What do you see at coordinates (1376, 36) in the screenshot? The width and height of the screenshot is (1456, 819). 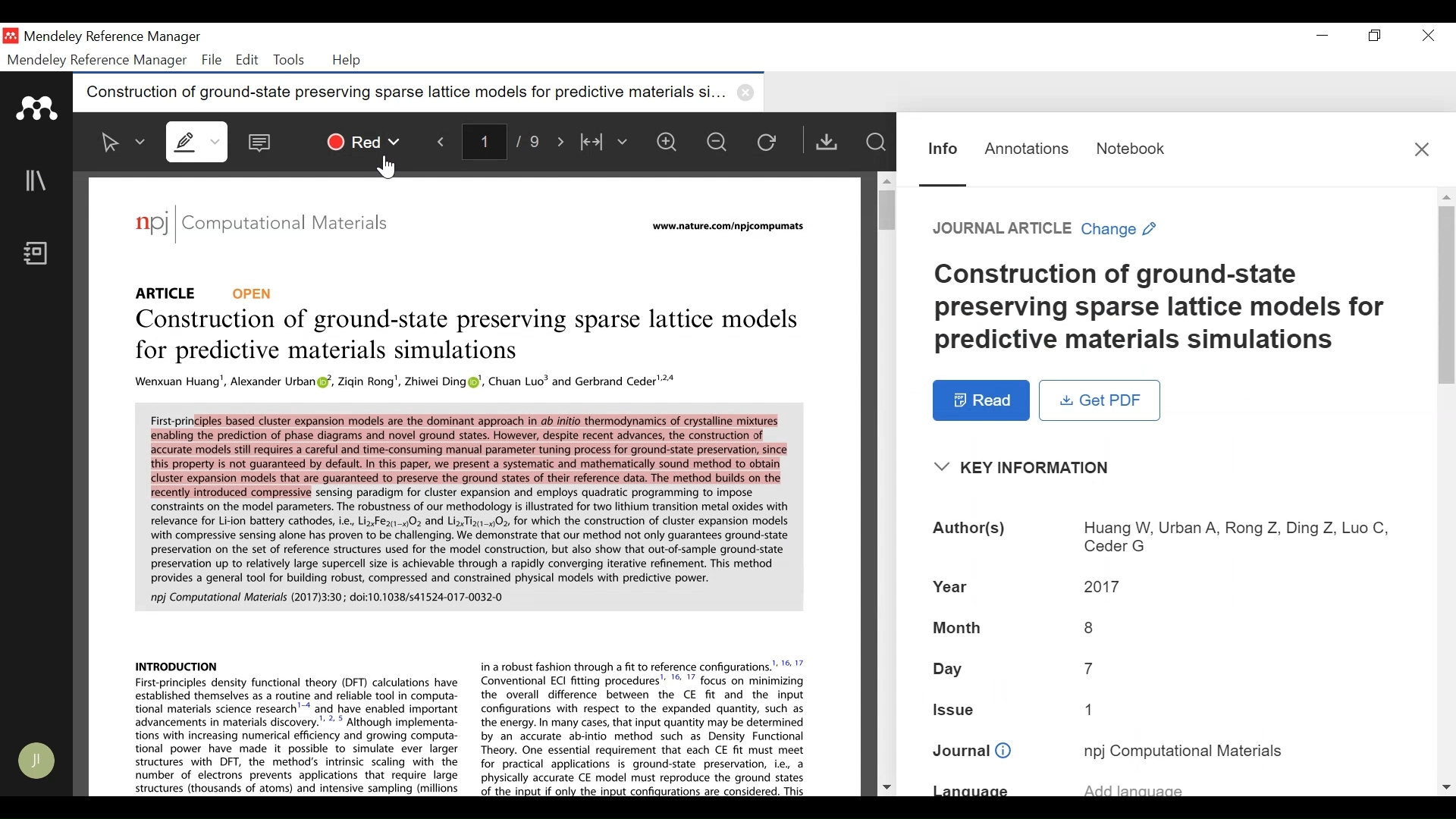 I see `Restore` at bounding box center [1376, 36].